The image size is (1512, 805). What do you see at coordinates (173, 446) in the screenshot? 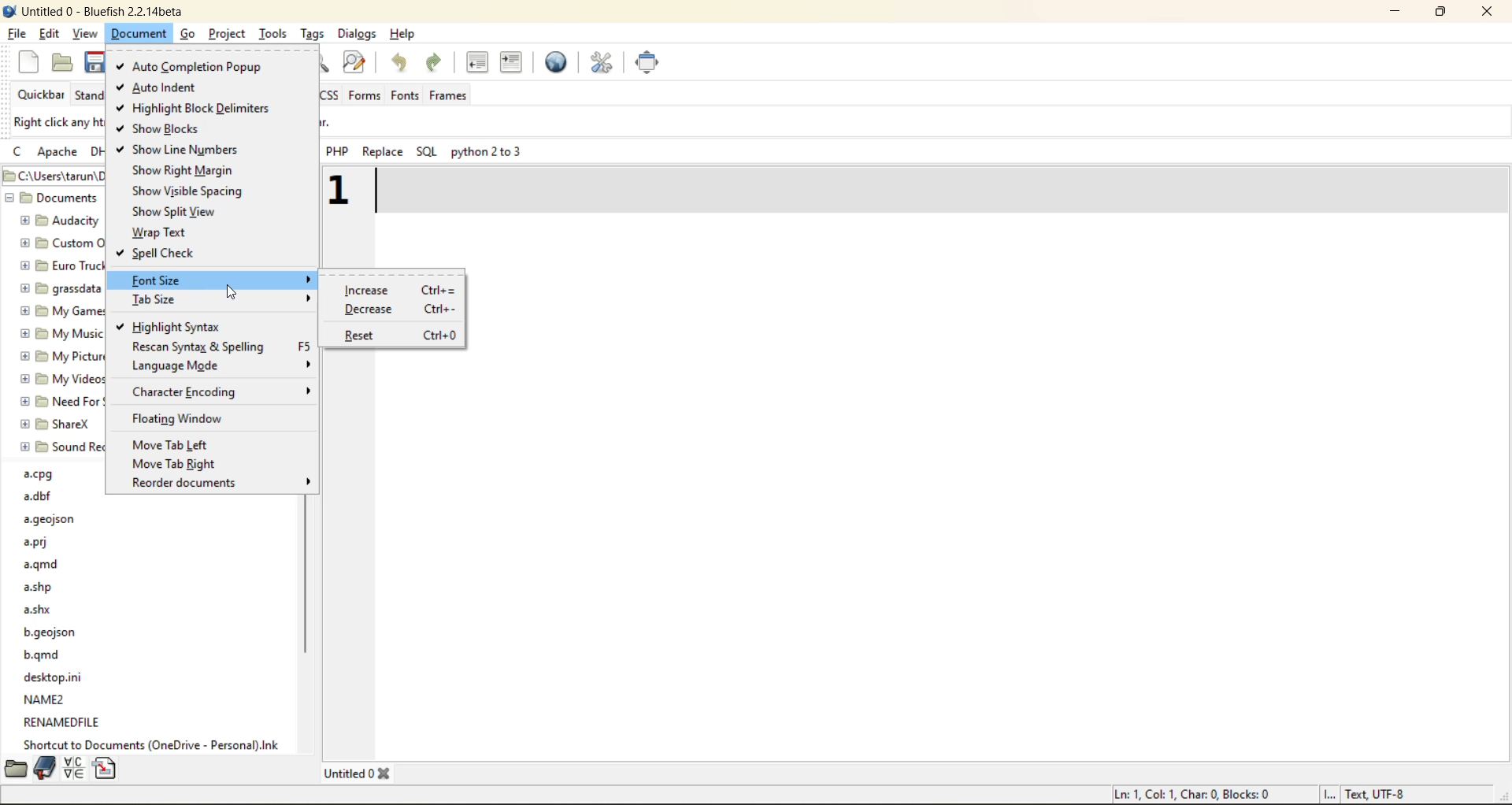
I see `move tab left` at bounding box center [173, 446].